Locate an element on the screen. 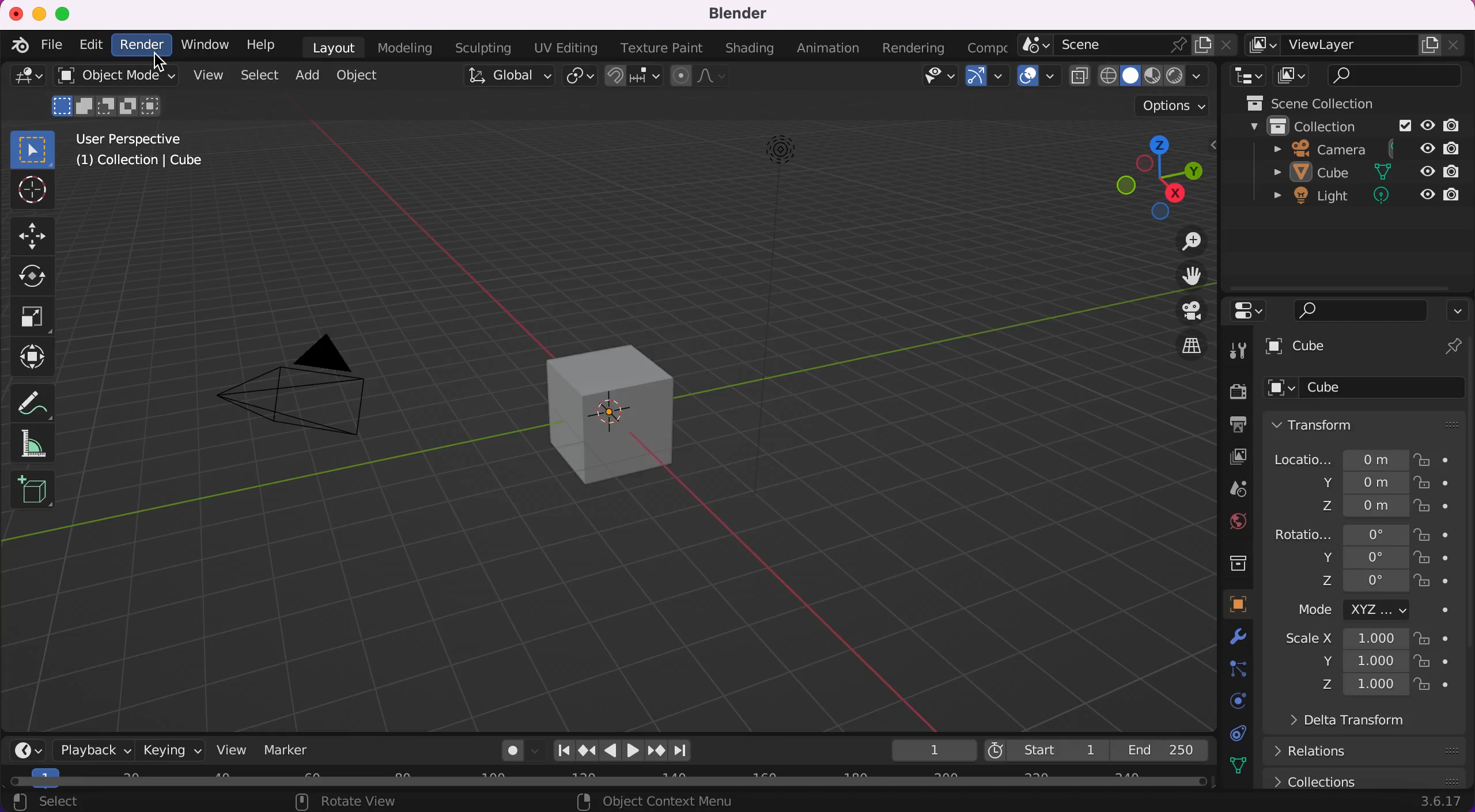 This screenshot has width=1475, height=812. constraints is located at coordinates (1236, 733).